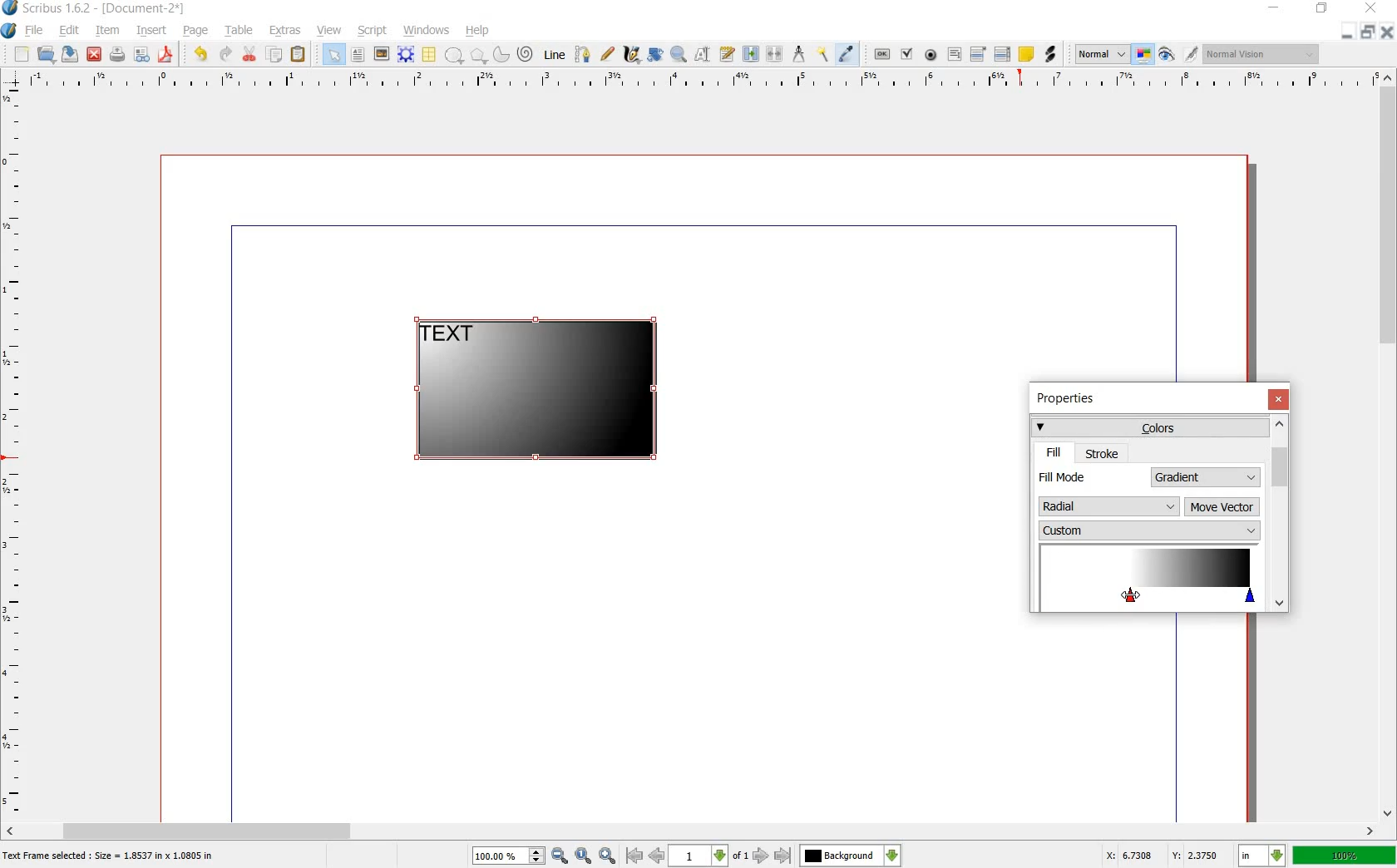 Image resolution: width=1397 pixels, height=868 pixels. I want to click on properties, so click(1071, 400).